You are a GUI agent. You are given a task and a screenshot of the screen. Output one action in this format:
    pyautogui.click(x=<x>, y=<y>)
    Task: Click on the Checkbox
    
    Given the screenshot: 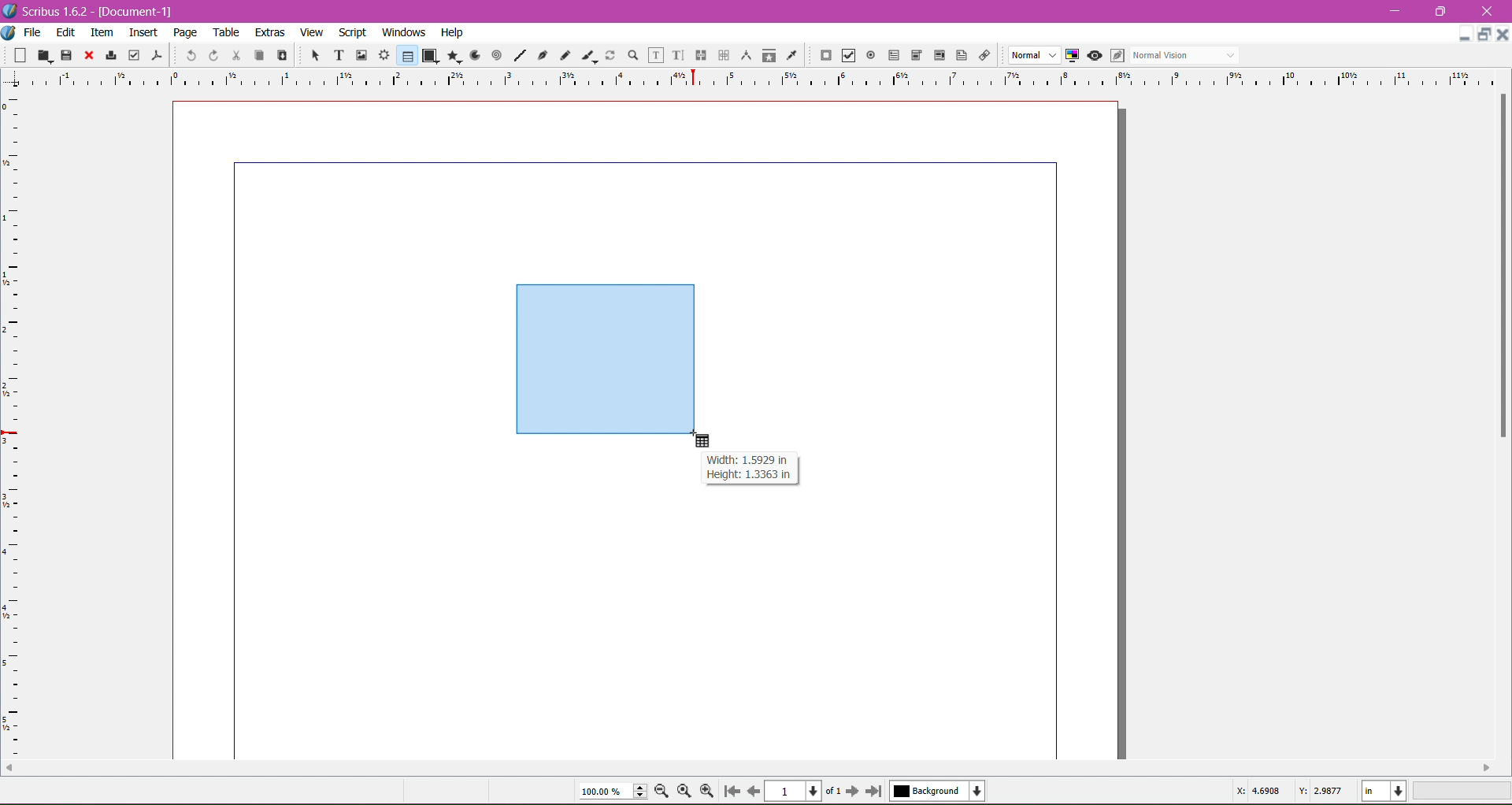 What is the action you would take?
    pyautogui.click(x=847, y=57)
    